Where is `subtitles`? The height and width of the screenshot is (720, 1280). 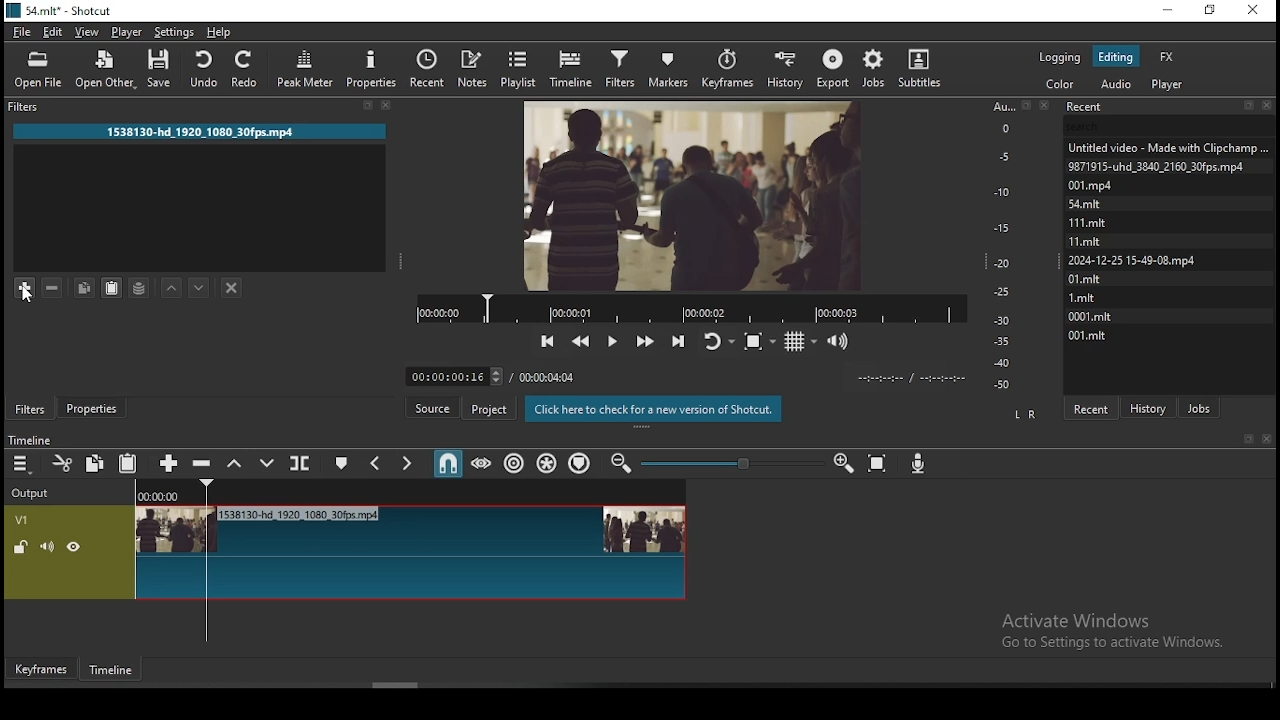
subtitles is located at coordinates (927, 69).